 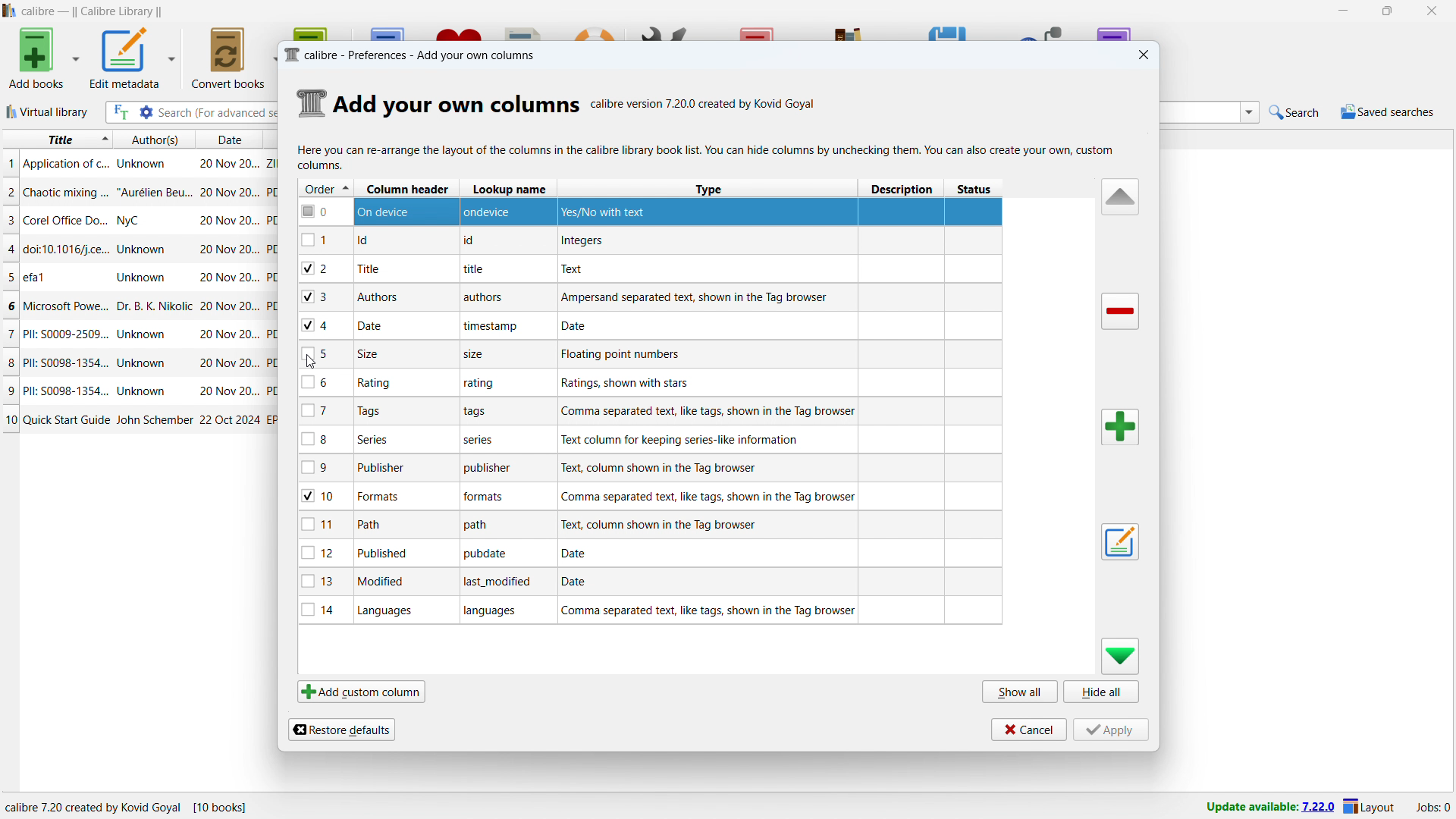 What do you see at coordinates (37, 58) in the screenshot?
I see `add books` at bounding box center [37, 58].